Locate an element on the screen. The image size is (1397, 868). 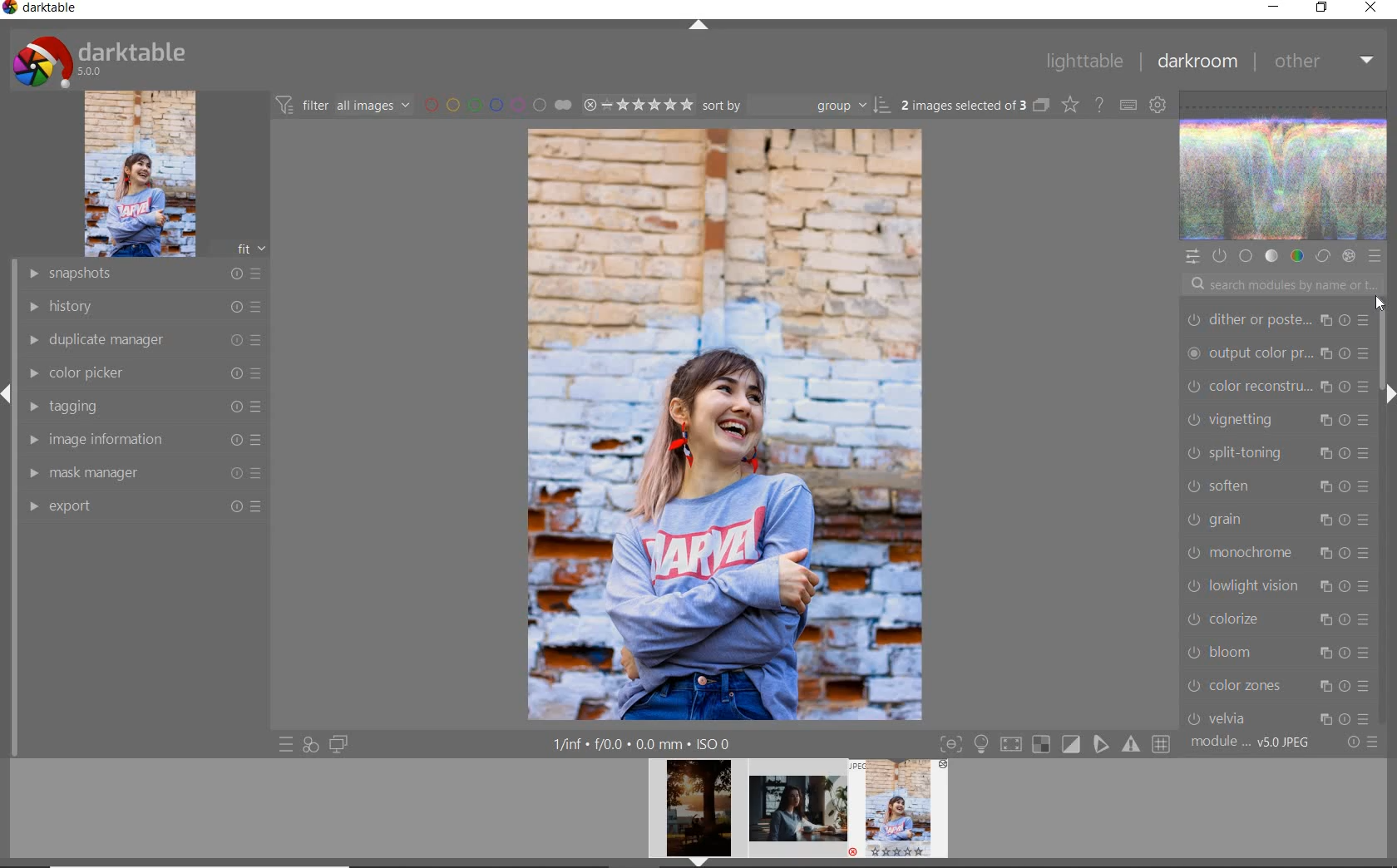
image preview is located at coordinates (904, 813).